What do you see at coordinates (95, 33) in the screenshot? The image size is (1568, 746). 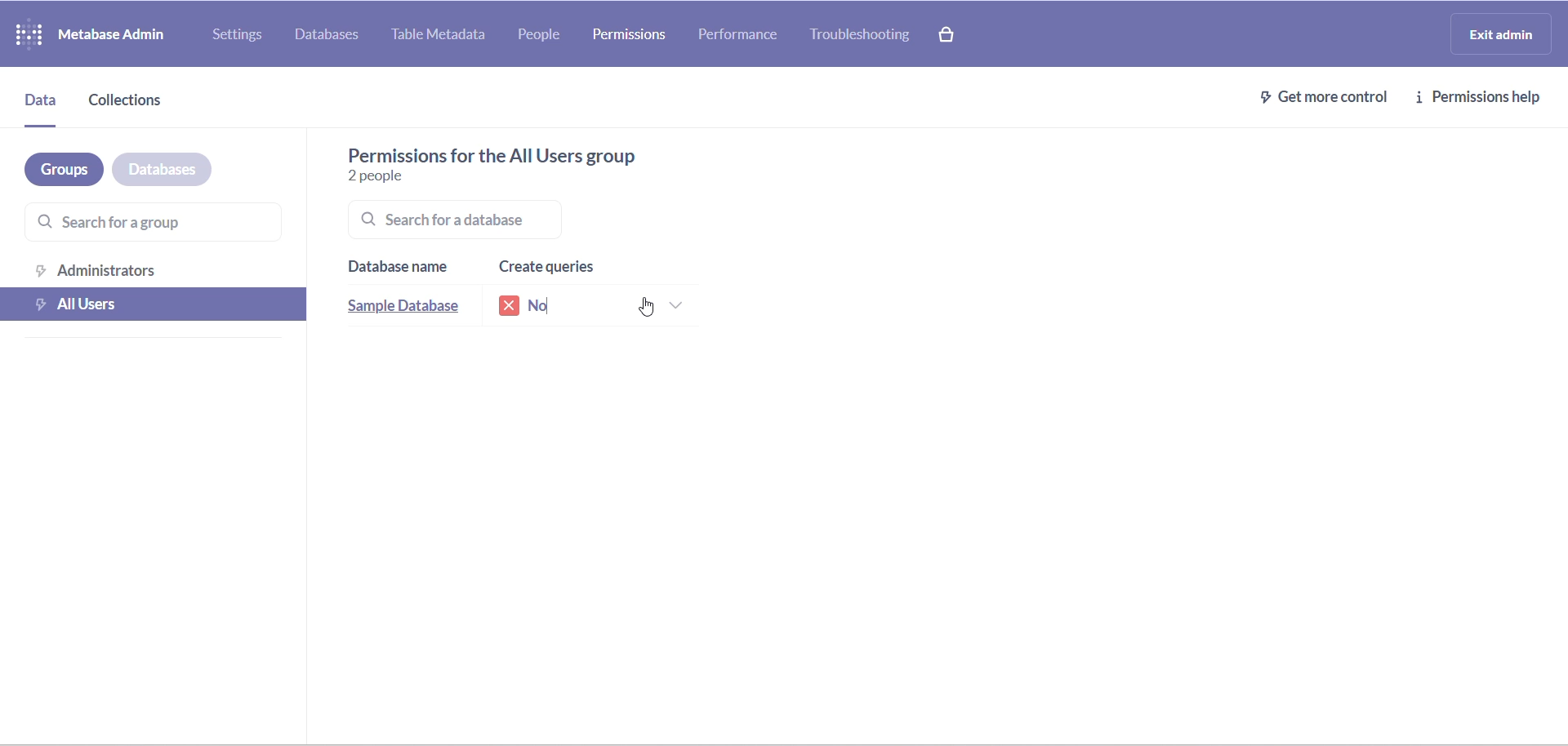 I see `logo and name` at bounding box center [95, 33].